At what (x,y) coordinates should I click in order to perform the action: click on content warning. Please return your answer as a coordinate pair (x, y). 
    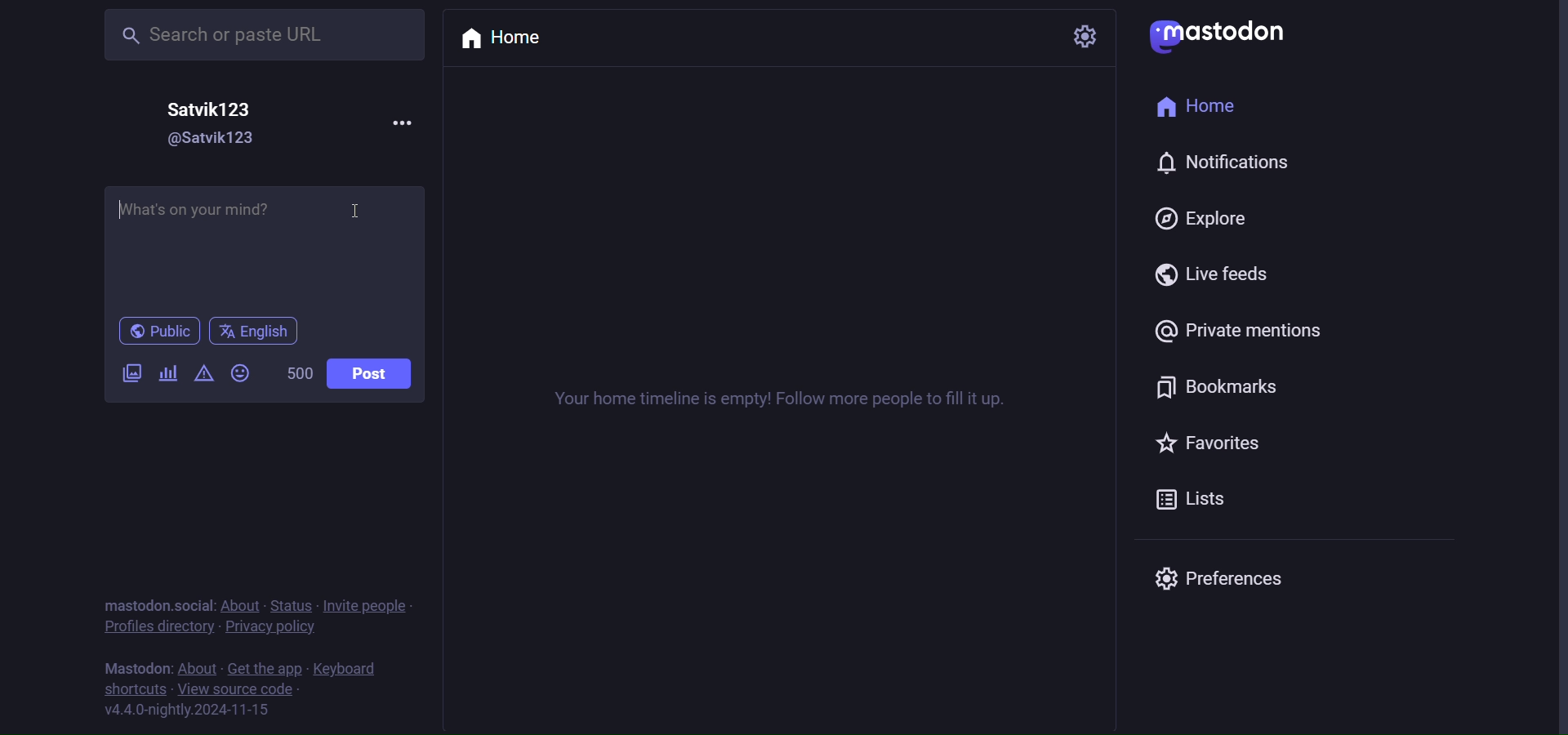
    Looking at the image, I should click on (202, 375).